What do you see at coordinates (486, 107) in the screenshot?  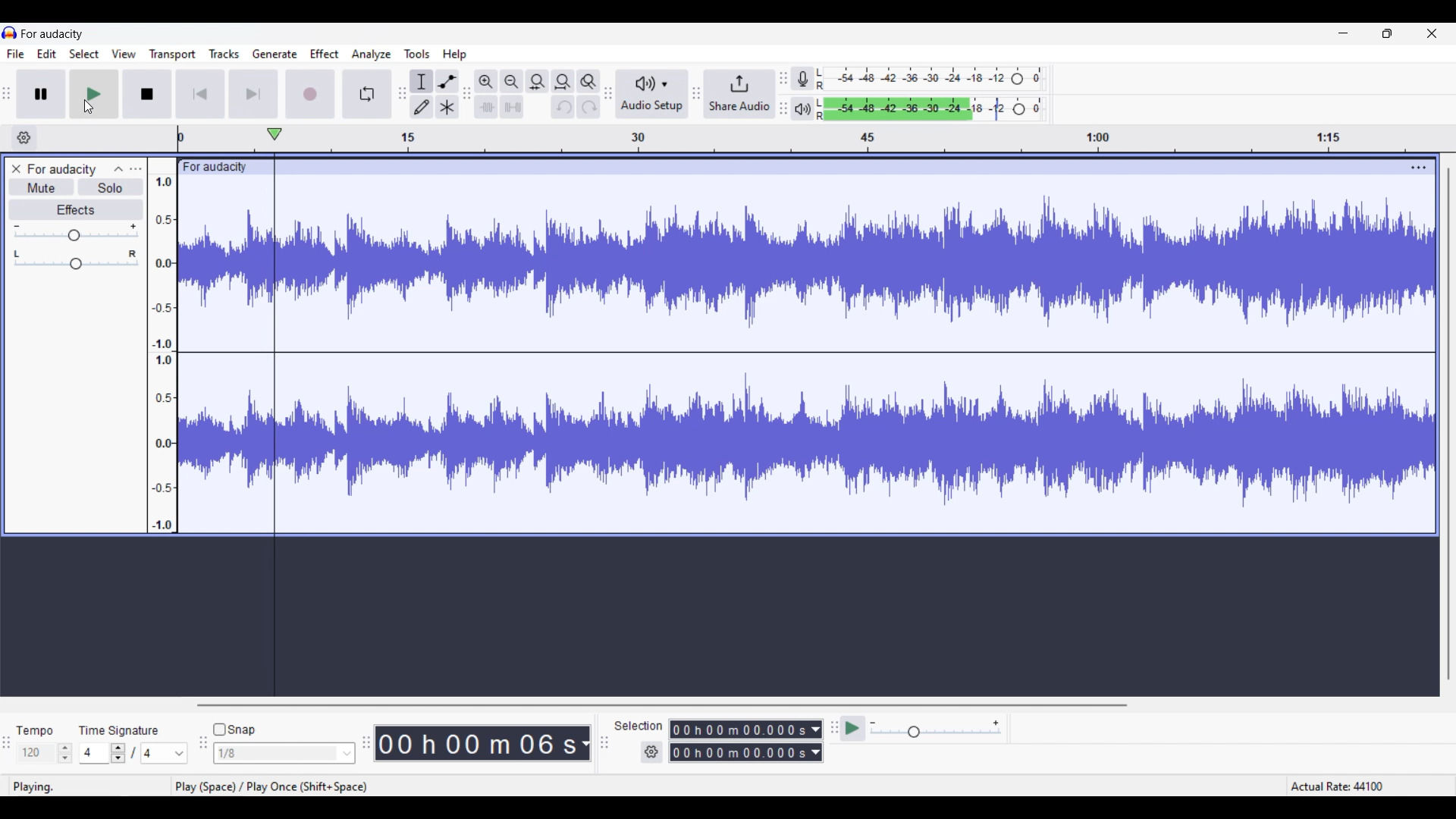 I see `Trim audio outside selection` at bounding box center [486, 107].